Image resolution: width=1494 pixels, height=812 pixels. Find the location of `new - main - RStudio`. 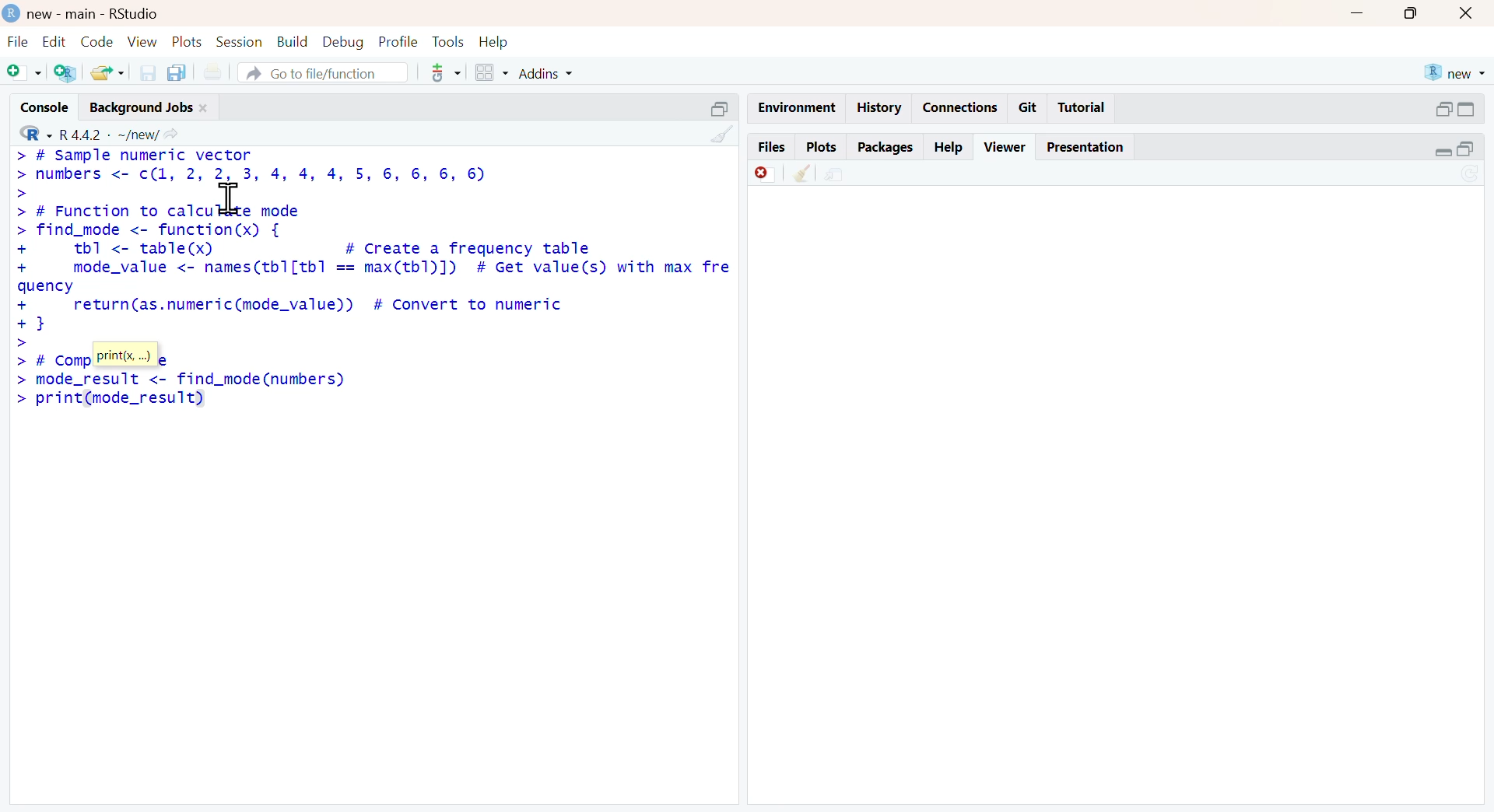

new - main - RStudio is located at coordinates (96, 13).